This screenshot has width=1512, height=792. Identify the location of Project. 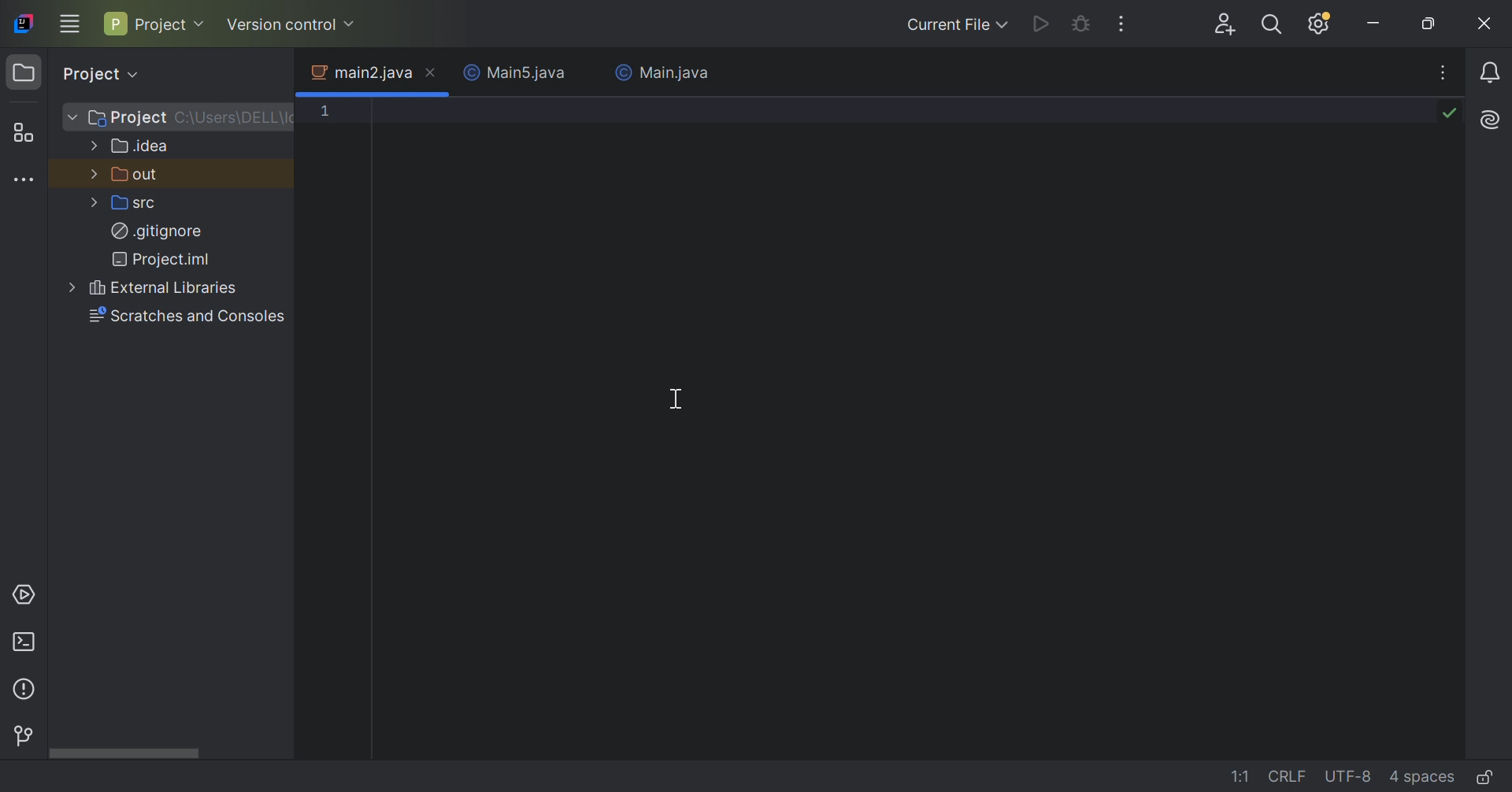
(155, 22).